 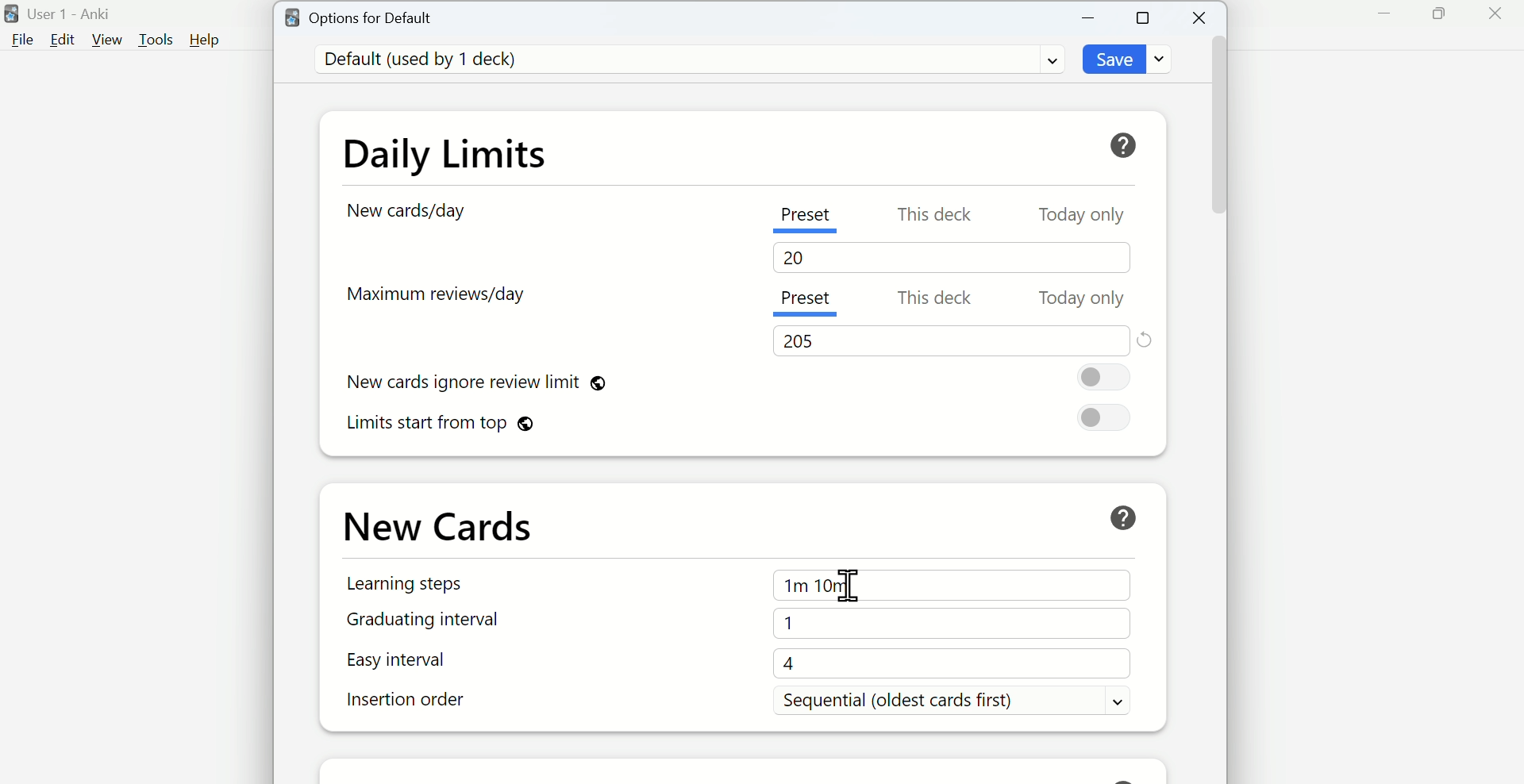 I want to click on On/Off Toggle, so click(x=1108, y=378).